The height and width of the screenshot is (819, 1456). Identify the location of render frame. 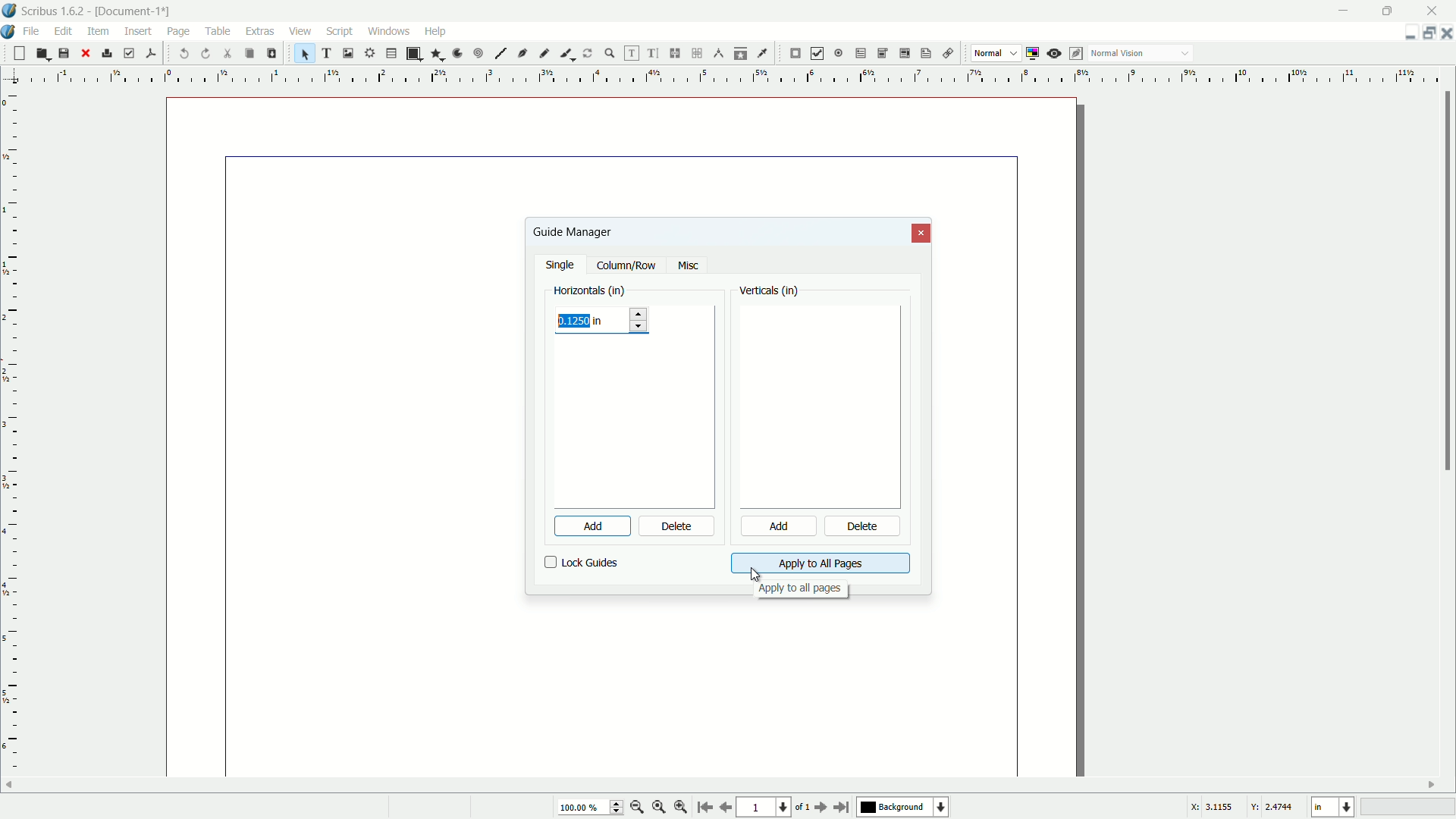
(368, 53).